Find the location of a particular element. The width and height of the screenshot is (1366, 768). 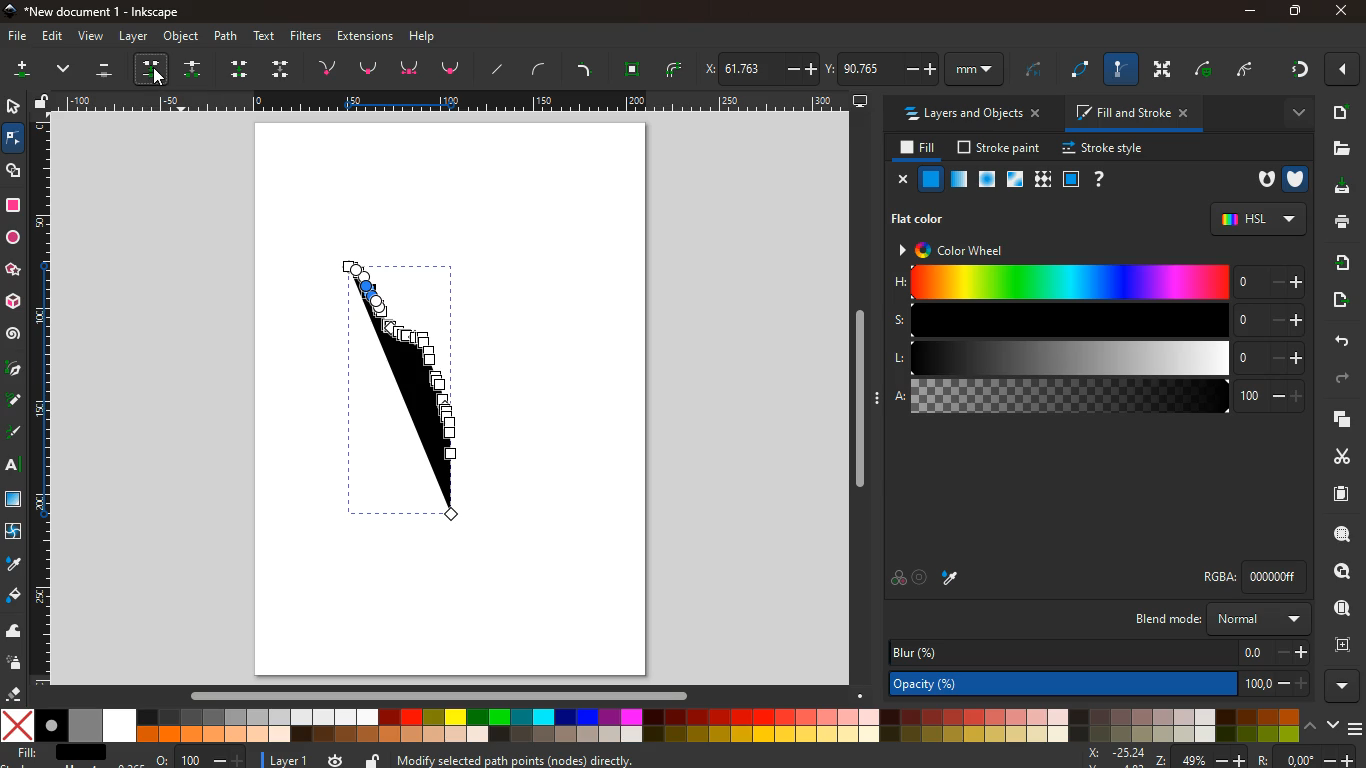

blur is located at coordinates (1099, 653).